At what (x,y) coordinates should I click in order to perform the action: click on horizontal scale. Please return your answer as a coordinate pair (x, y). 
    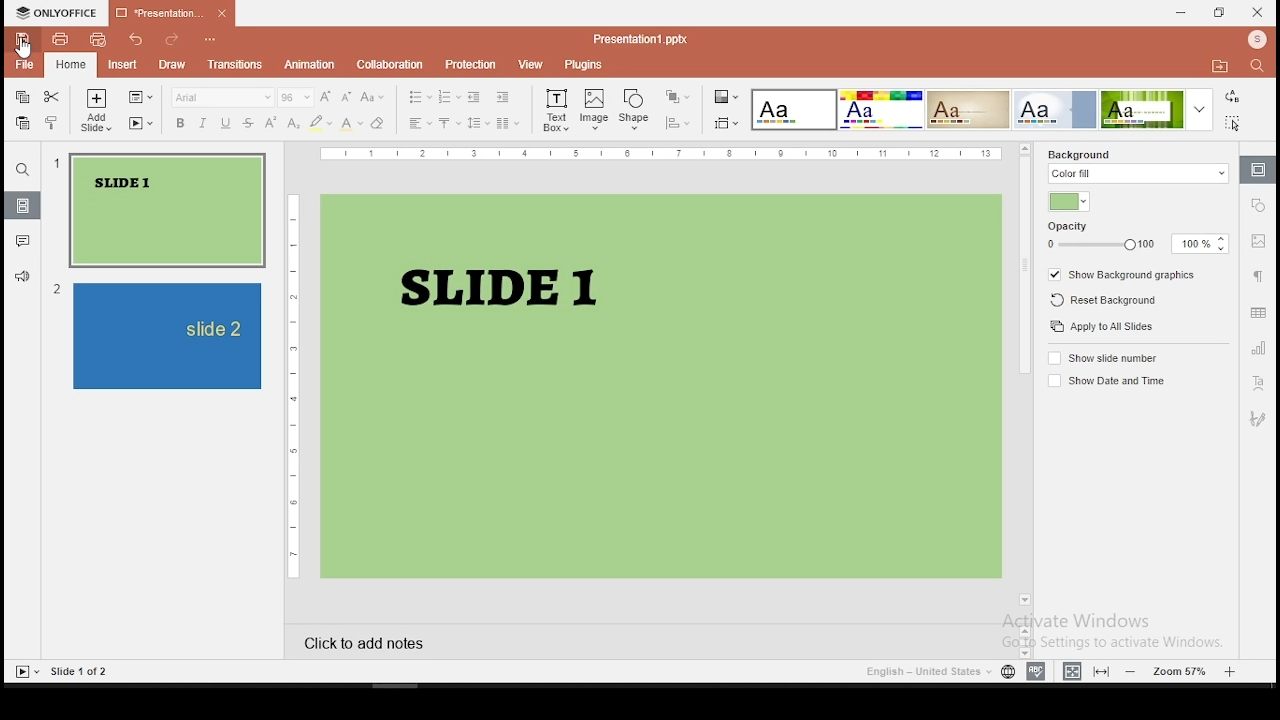
    Looking at the image, I should click on (662, 153).